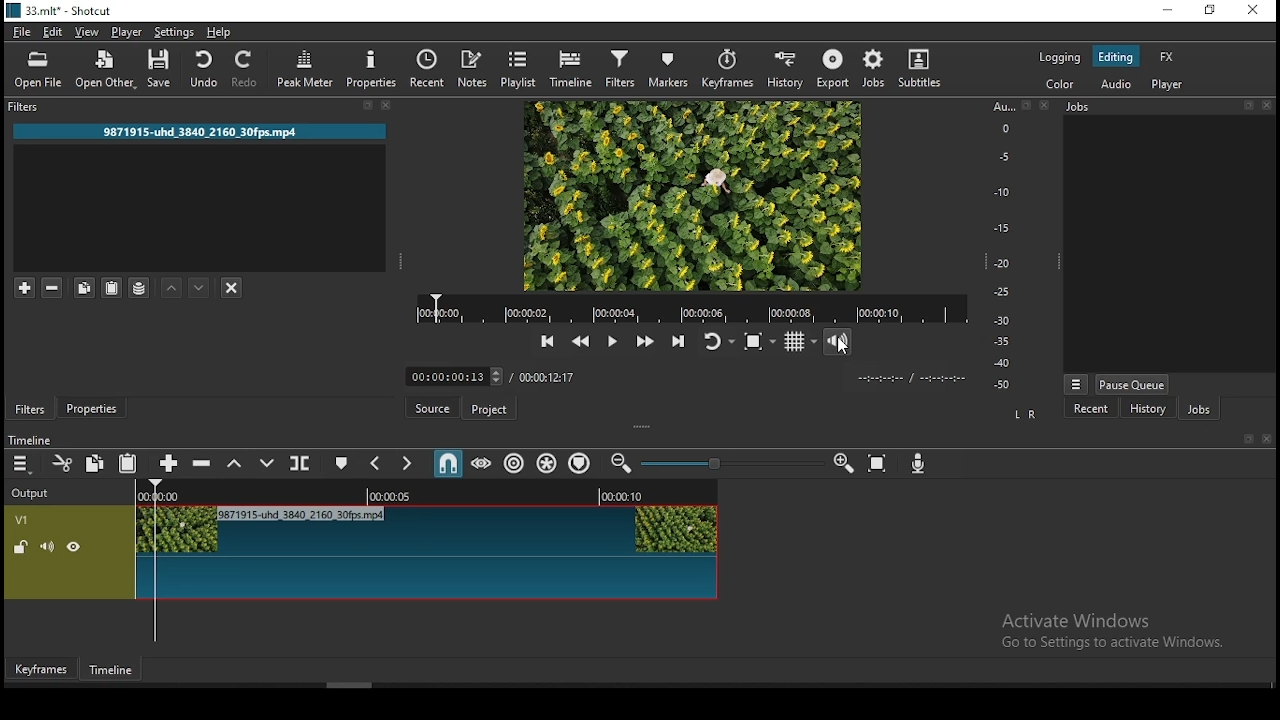 The width and height of the screenshot is (1280, 720). Describe the element at coordinates (879, 463) in the screenshot. I see `zoom timeline to fit` at that location.